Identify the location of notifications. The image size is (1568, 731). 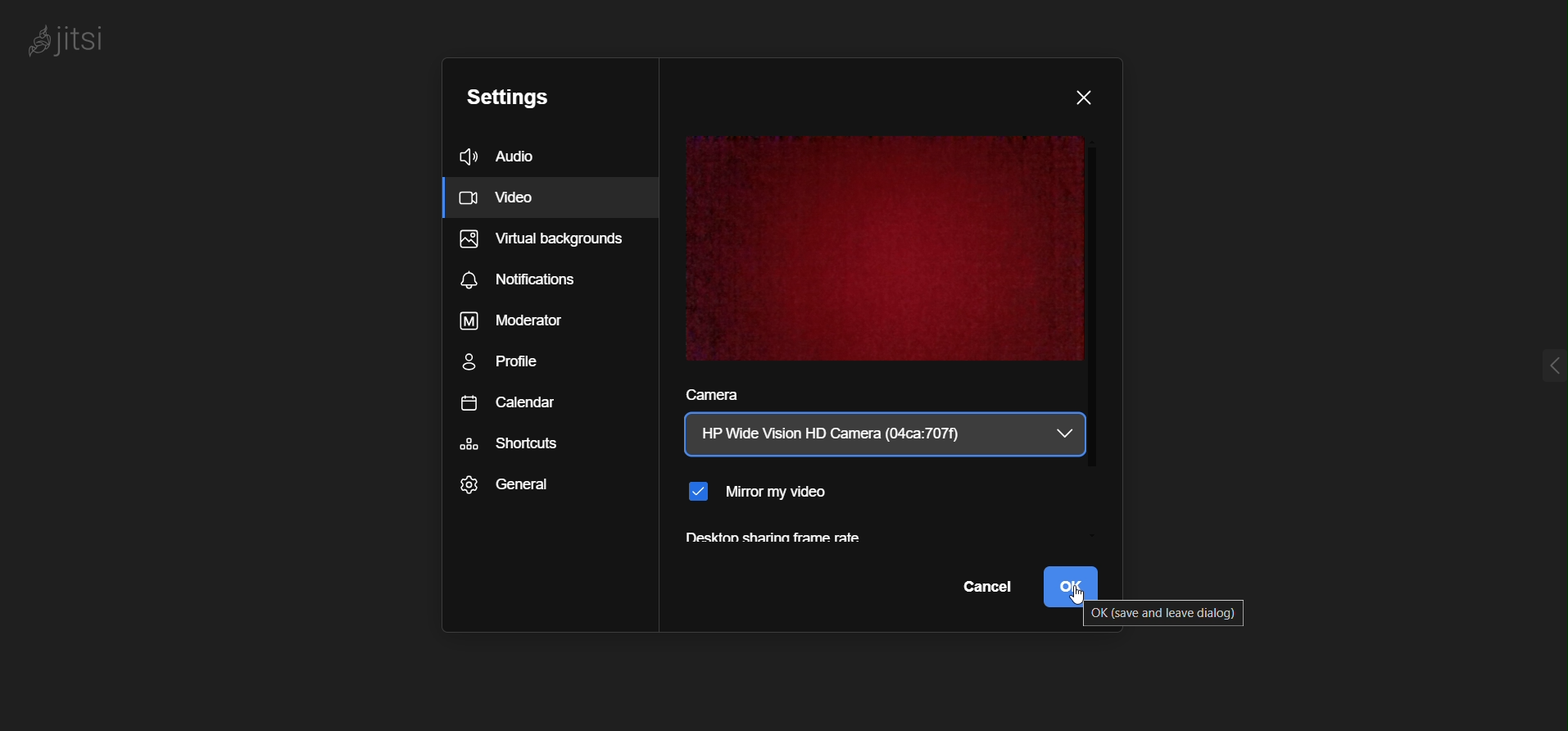
(532, 279).